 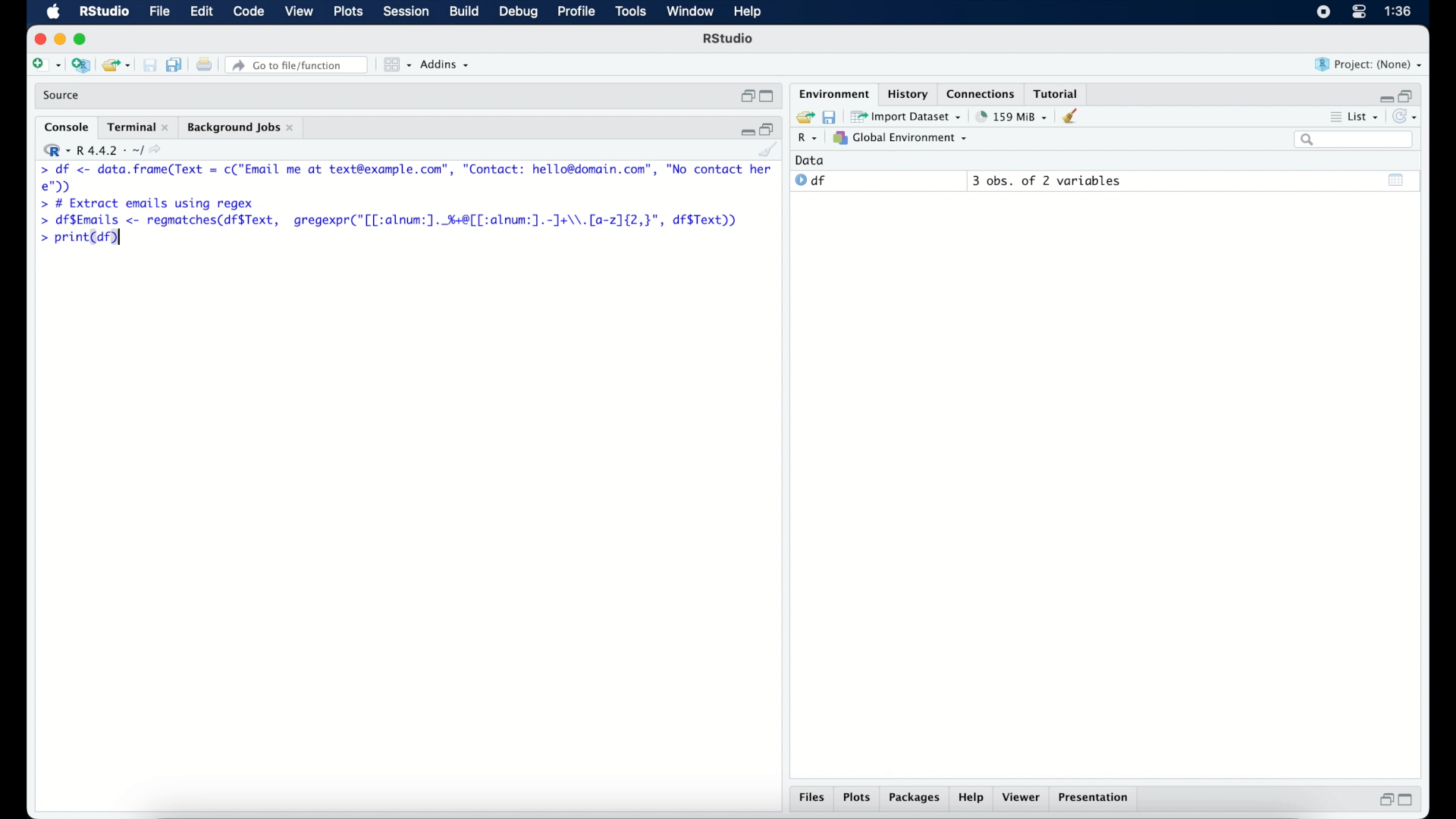 What do you see at coordinates (1359, 117) in the screenshot?
I see `list` at bounding box center [1359, 117].